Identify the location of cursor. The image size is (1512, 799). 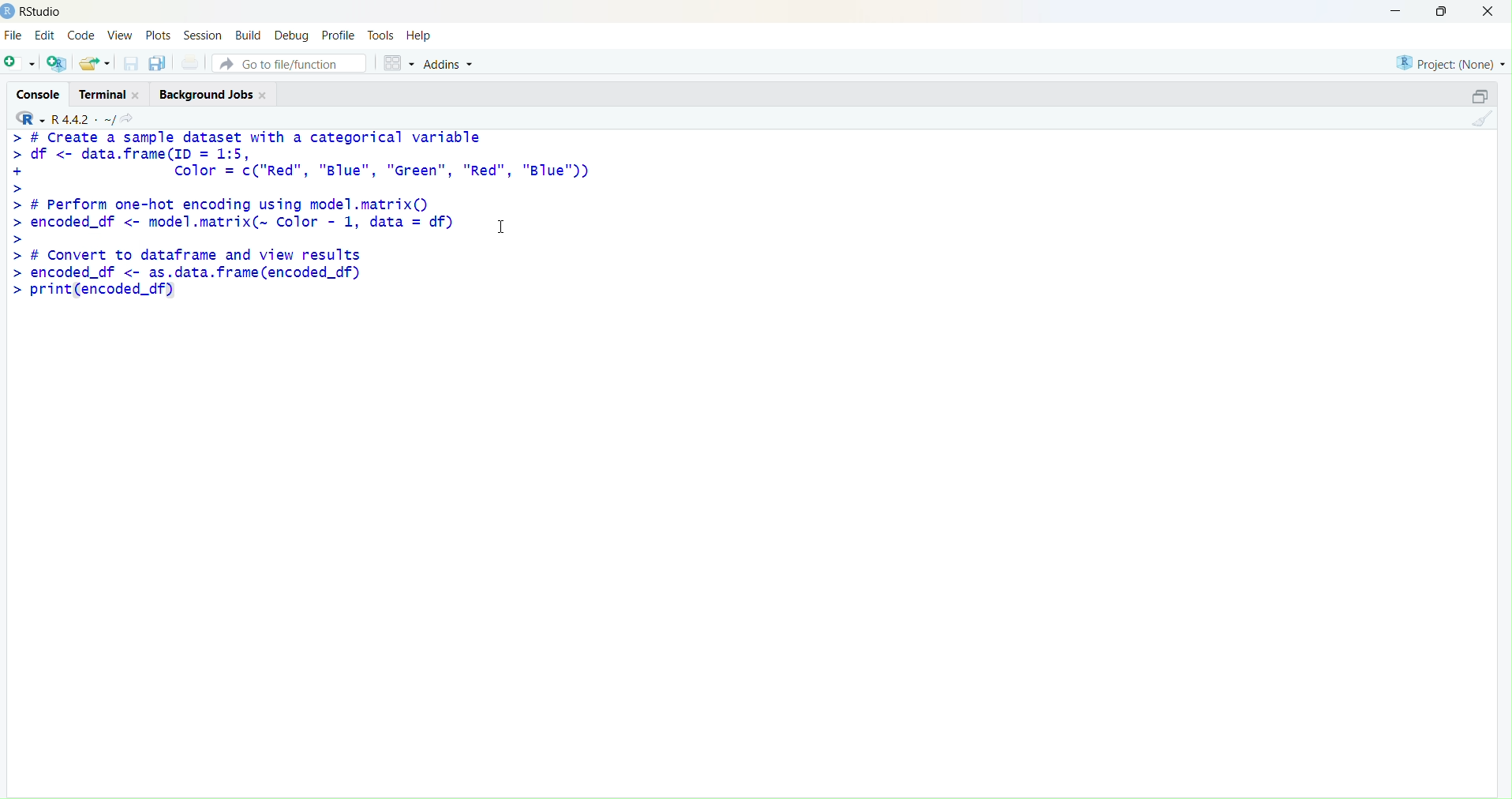
(502, 227).